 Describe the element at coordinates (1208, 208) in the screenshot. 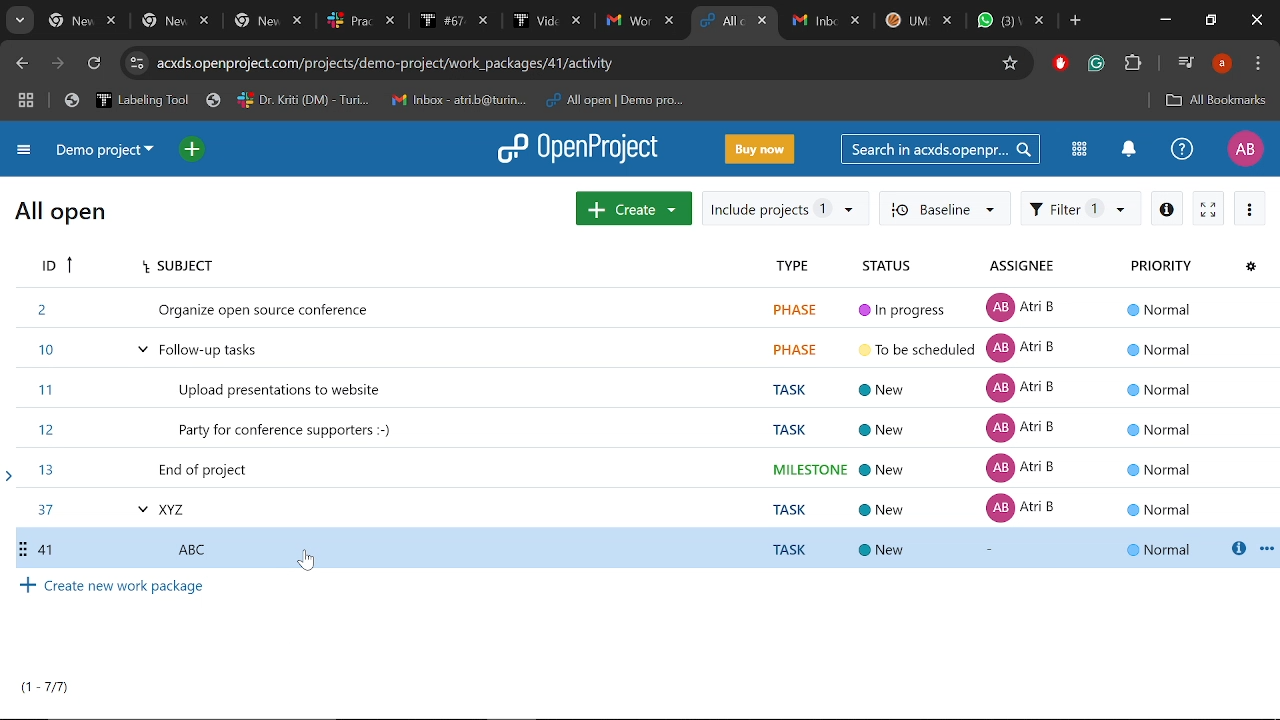

I see `Activate zen mode` at that location.